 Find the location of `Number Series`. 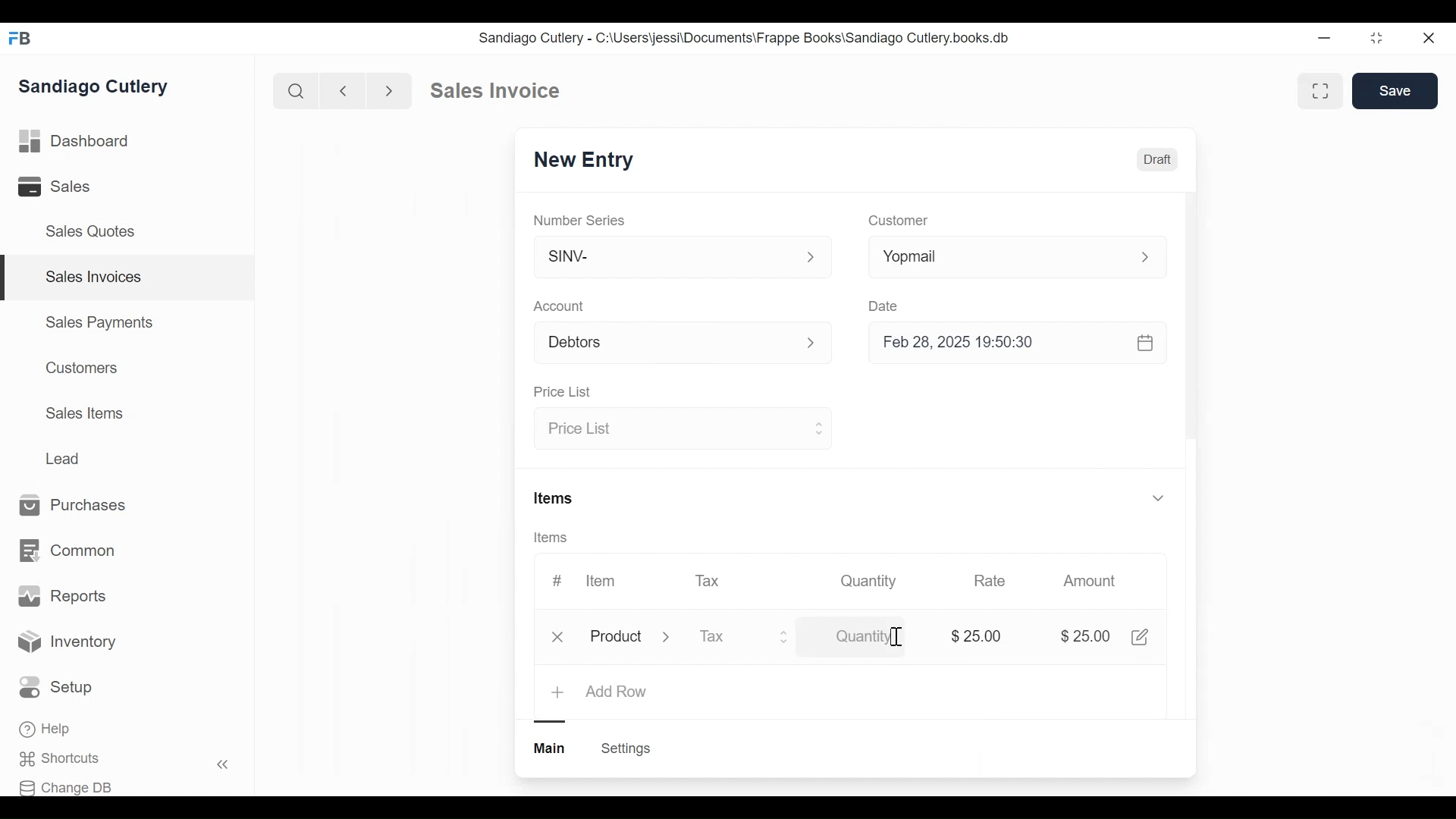

Number Series is located at coordinates (581, 220).